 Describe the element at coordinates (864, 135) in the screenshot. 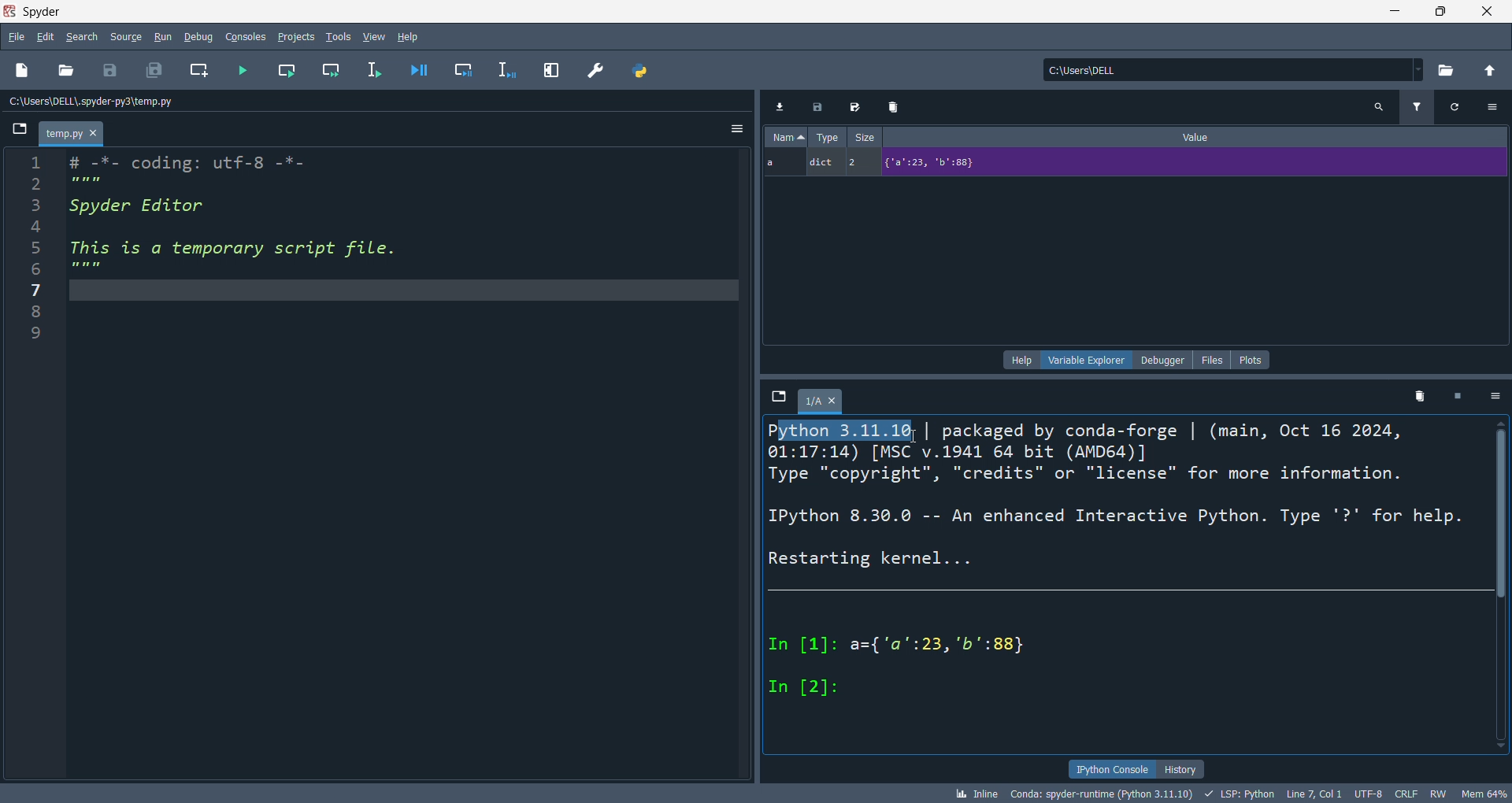

I see `size` at that location.